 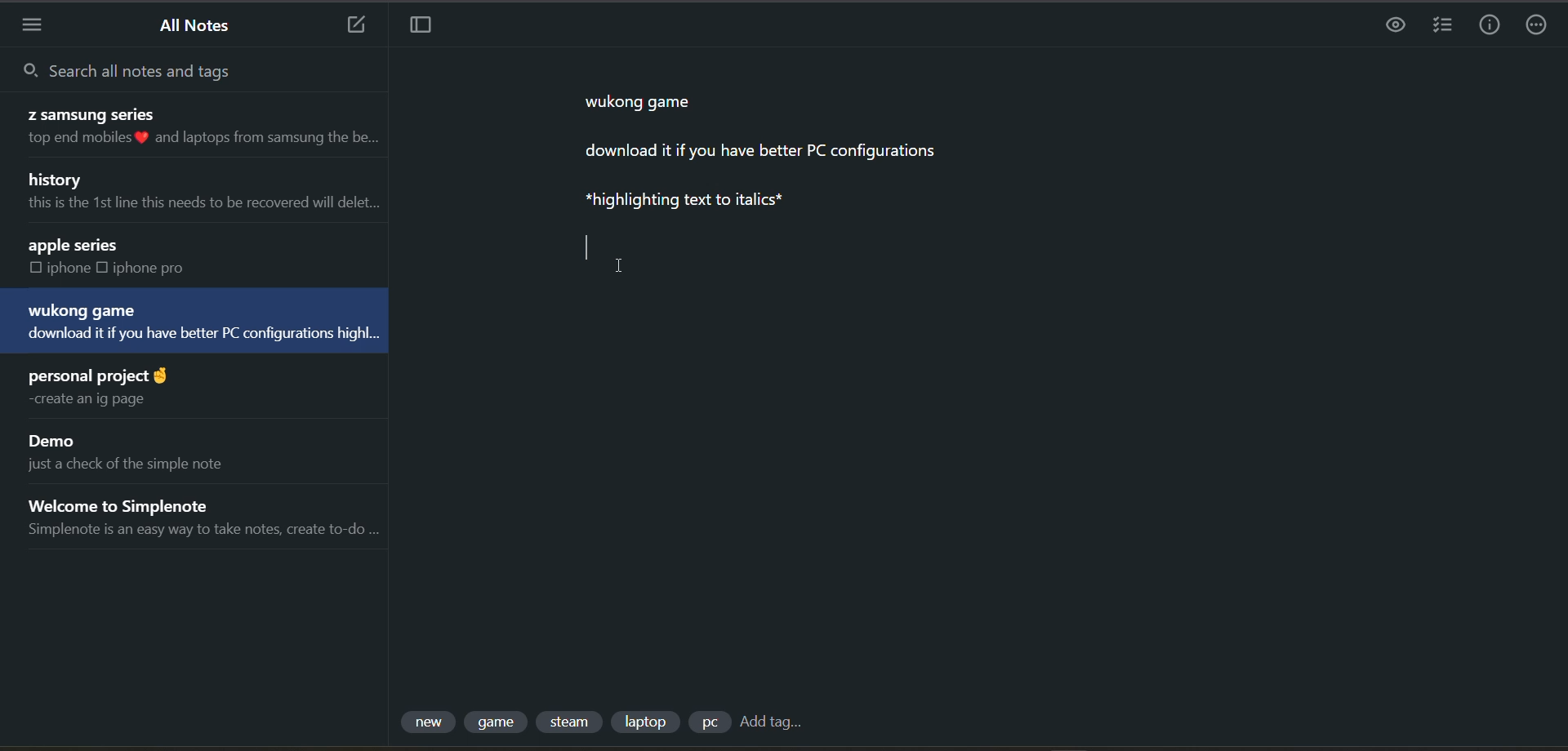 I want to click on note title and preview, so click(x=105, y=384).